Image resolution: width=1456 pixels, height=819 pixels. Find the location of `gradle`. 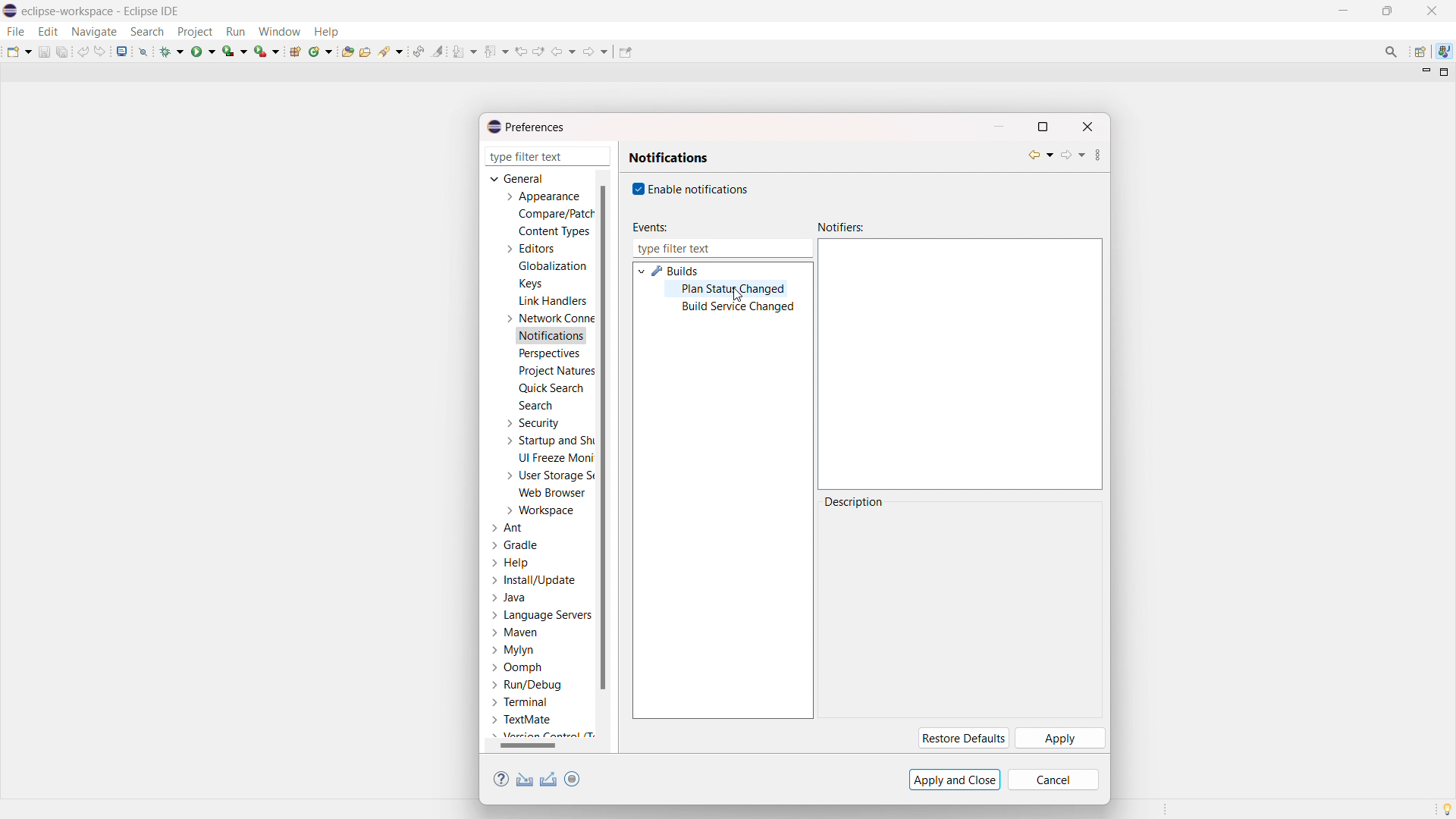

gradle is located at coordinates (516, 545).